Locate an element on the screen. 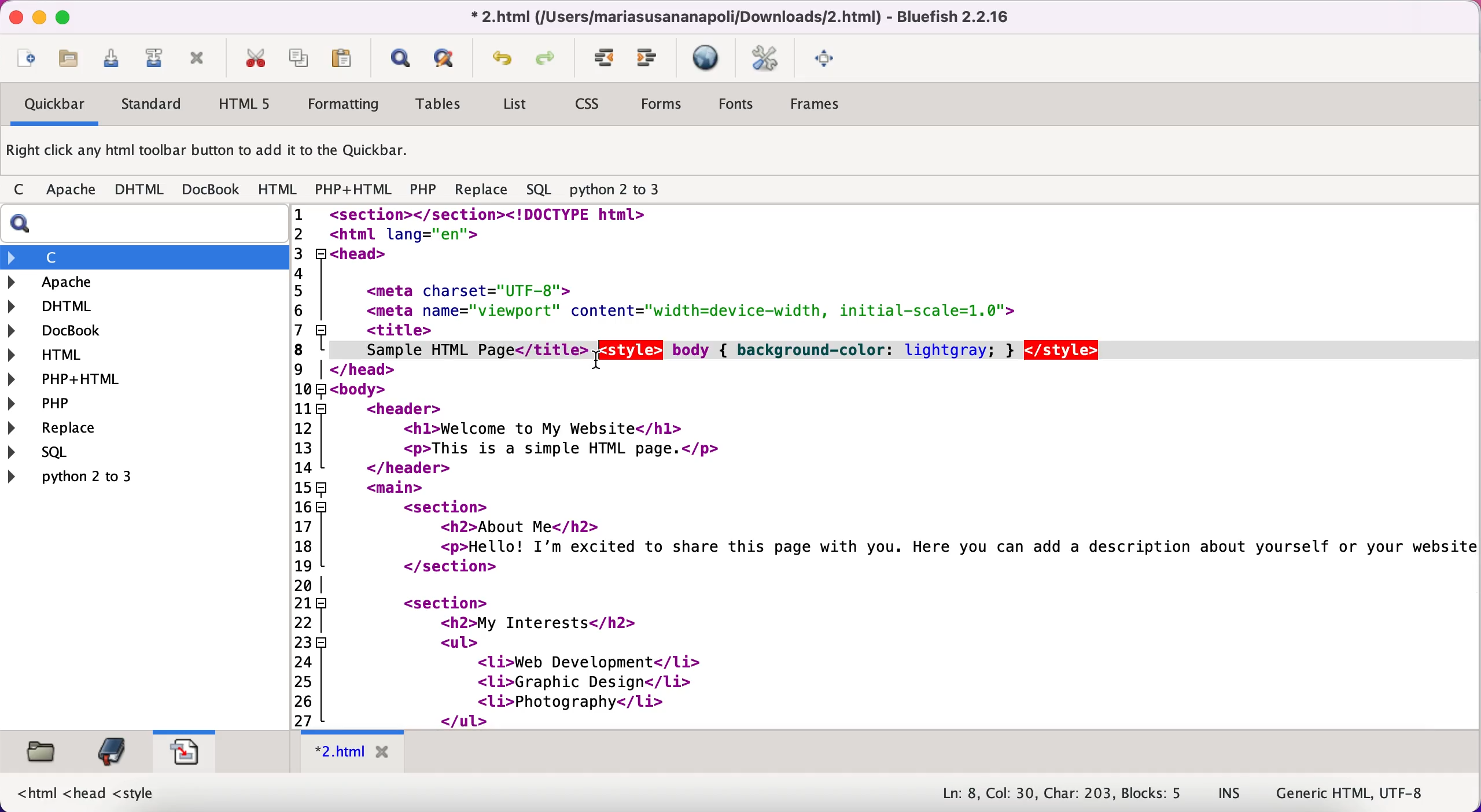 Image resolution: width=1481 pixels, height=812 pixels. replace is located at coordinates (80, 429).